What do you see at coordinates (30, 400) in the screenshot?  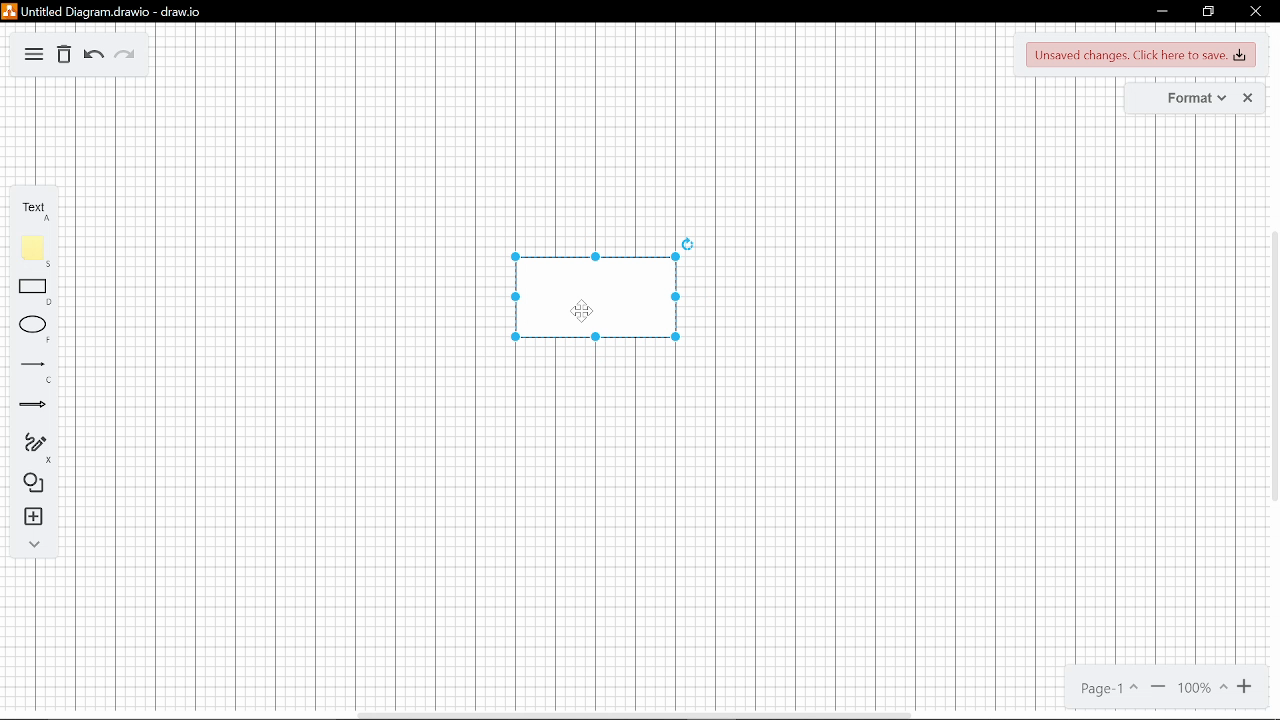 I see `arrow` at bounding box center [30, 400].